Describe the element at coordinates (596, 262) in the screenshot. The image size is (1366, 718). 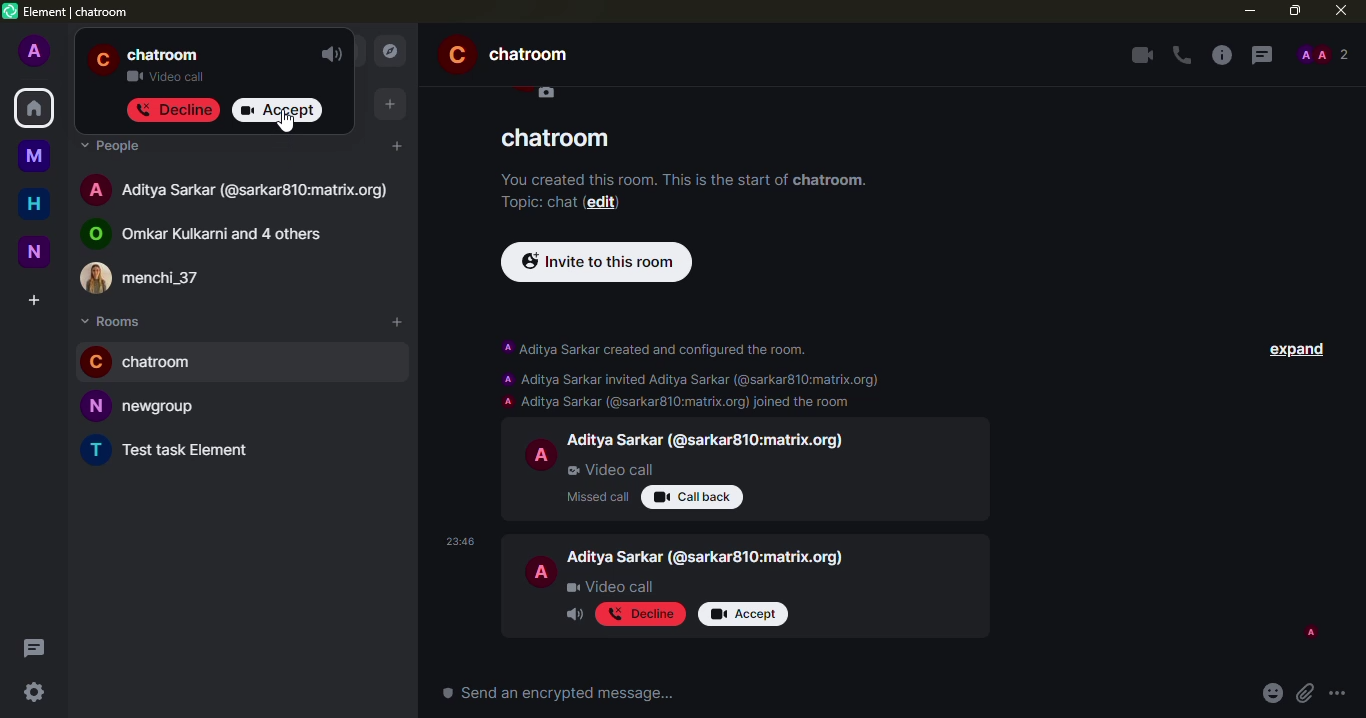
I see `invite to this room` at that location.